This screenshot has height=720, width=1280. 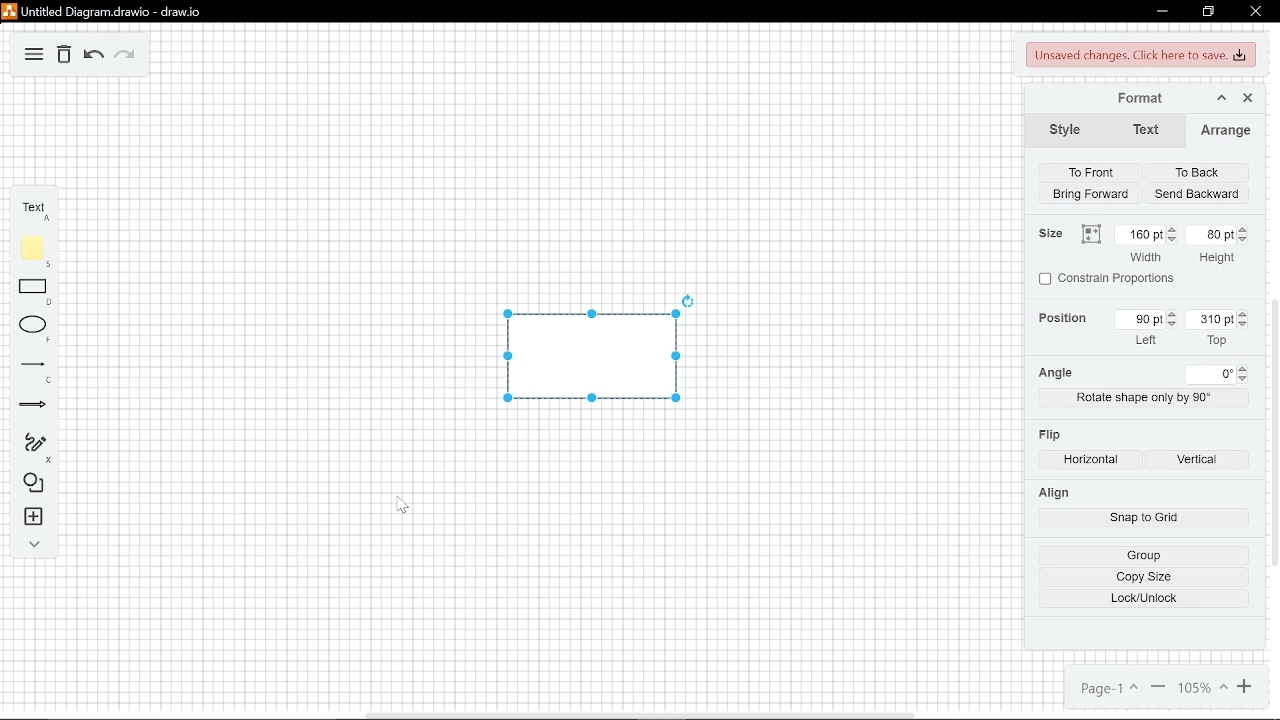 I want to click on rectangle, so click(x=38, y=291).